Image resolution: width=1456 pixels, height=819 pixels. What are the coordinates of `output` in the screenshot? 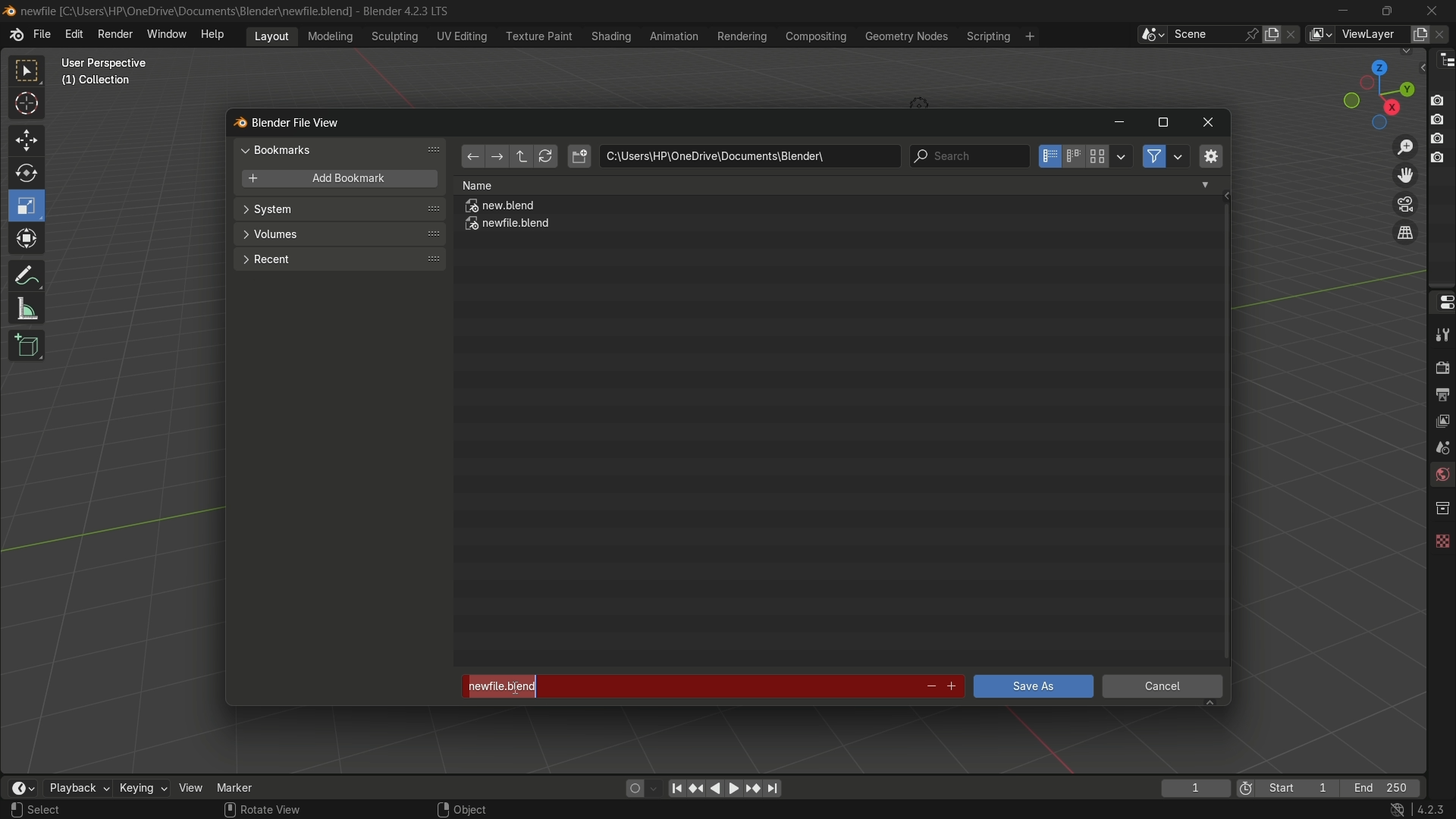 It's located at (1442, 394).